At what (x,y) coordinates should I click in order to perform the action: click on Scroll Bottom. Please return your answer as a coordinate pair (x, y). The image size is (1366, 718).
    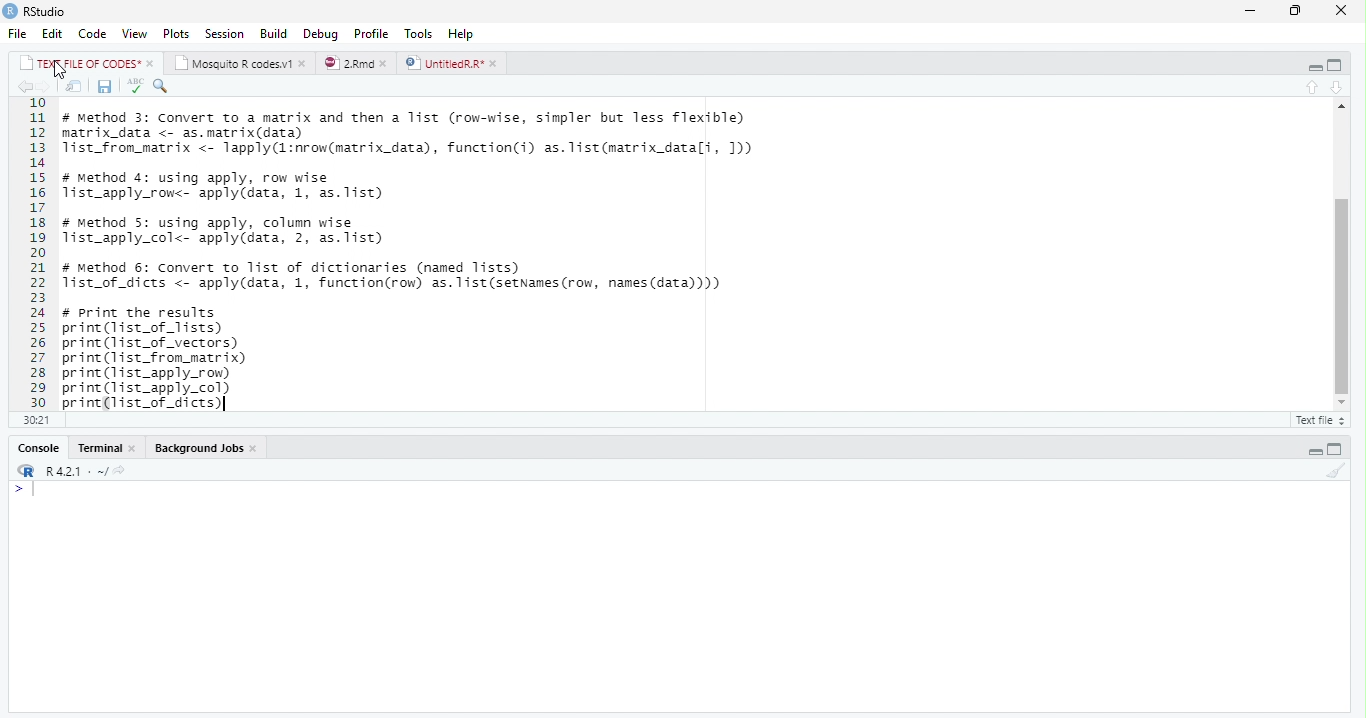
    Looking at the image, I should click on (1341, 401).